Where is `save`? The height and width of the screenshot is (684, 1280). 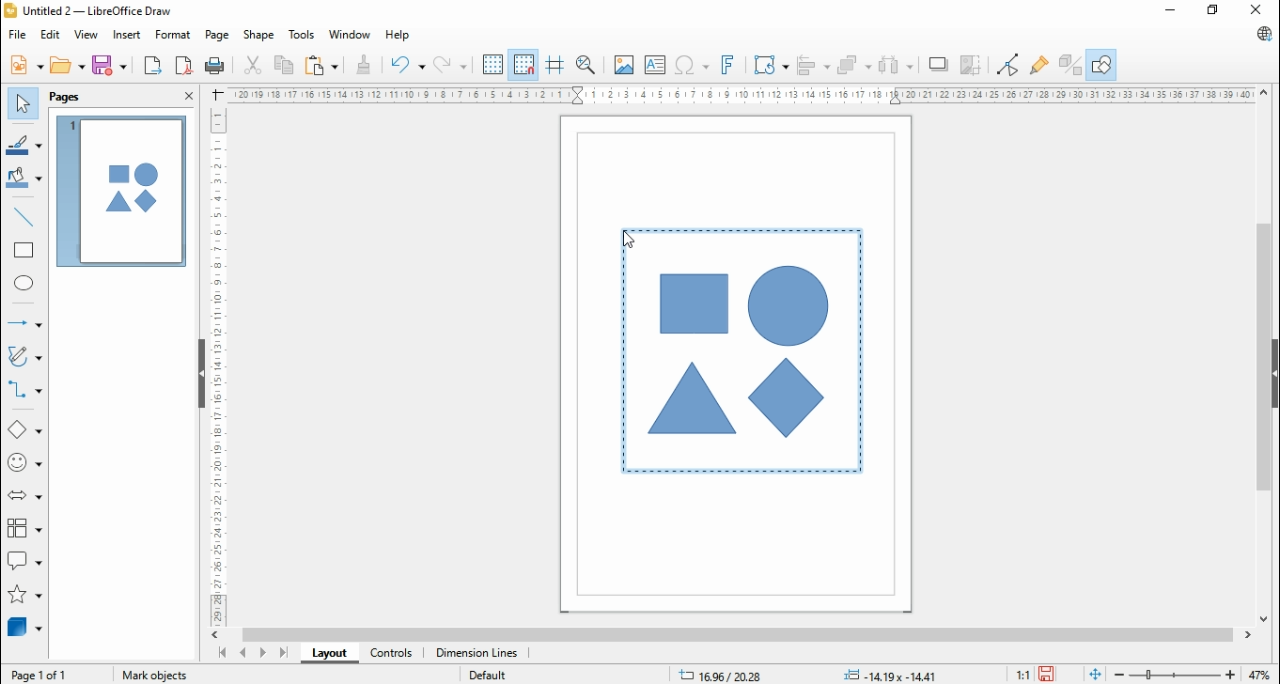
save is located at coordinates (110, 65).